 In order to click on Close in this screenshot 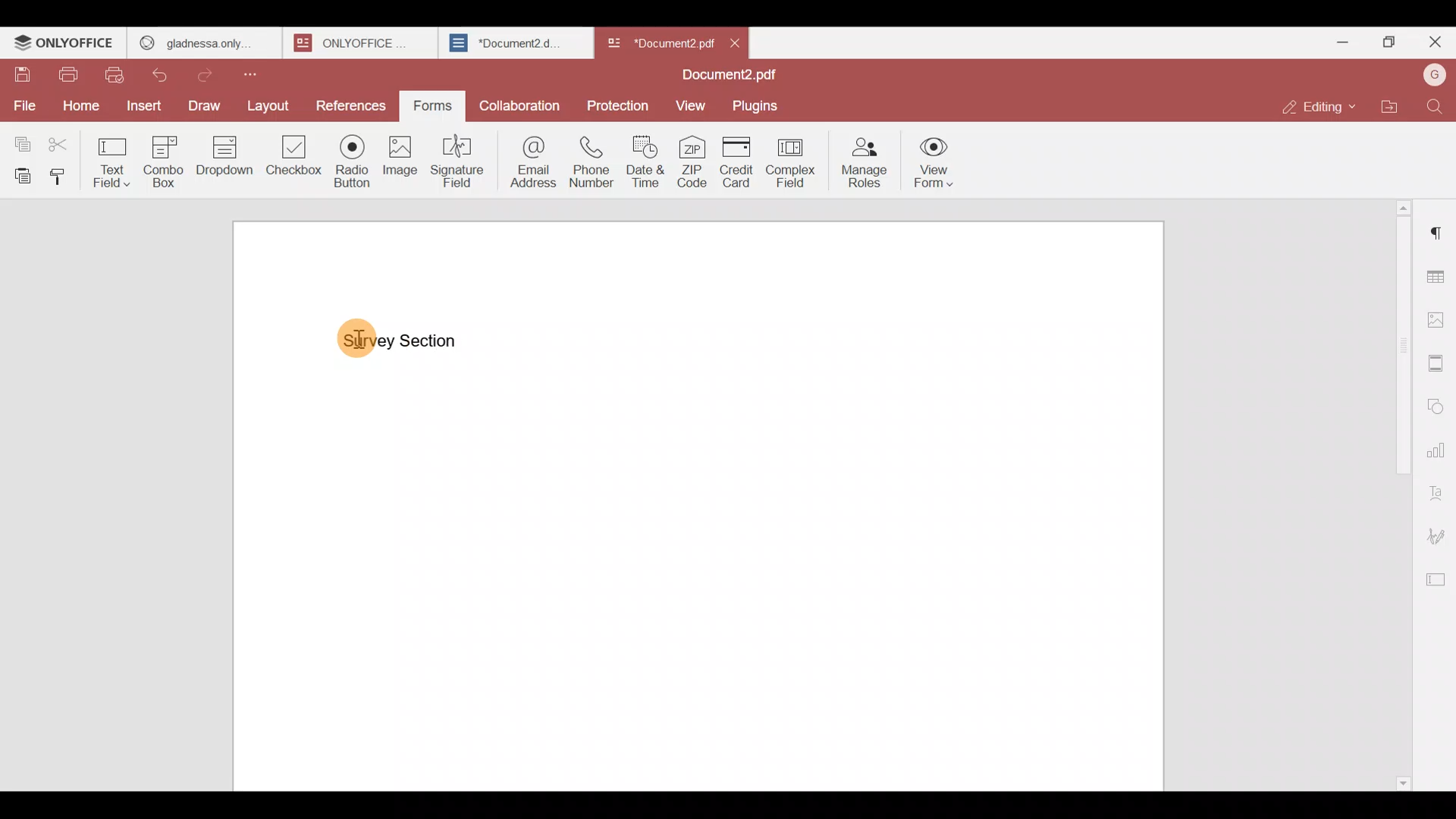, I will do `click(736, 42)`.